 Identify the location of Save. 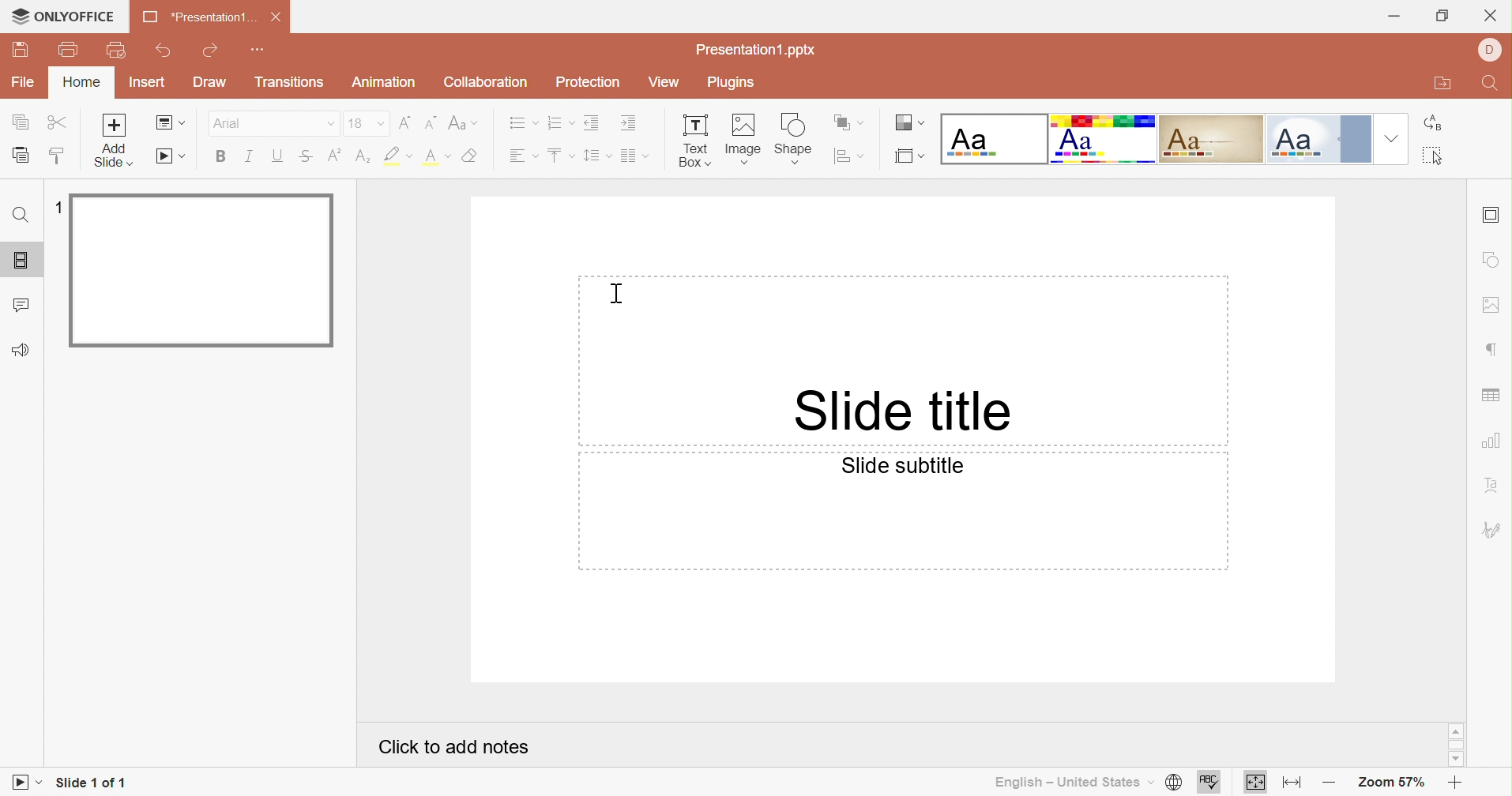
(23, 48).